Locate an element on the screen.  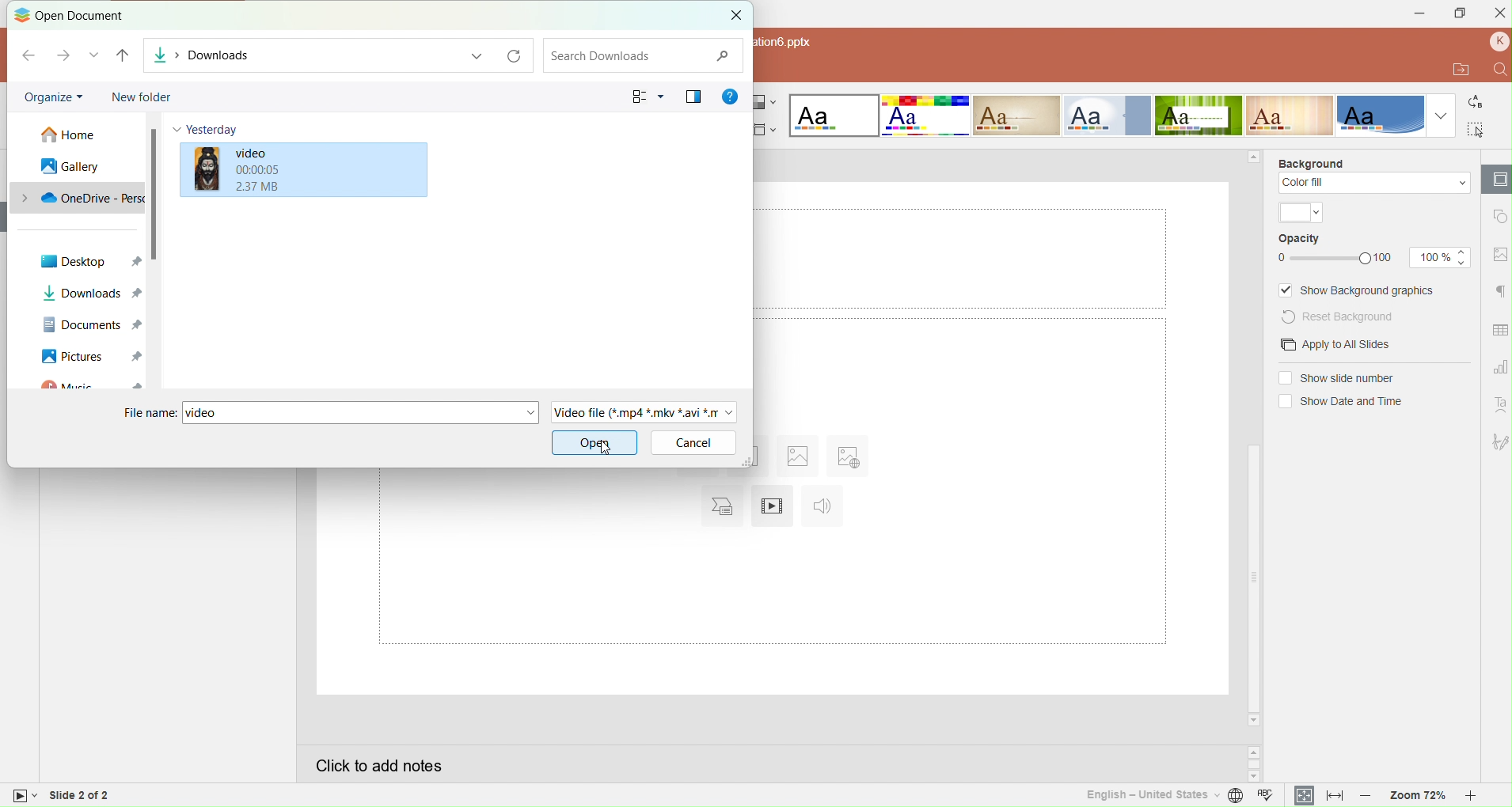
Insert audio is located at coordinates (825, 509).